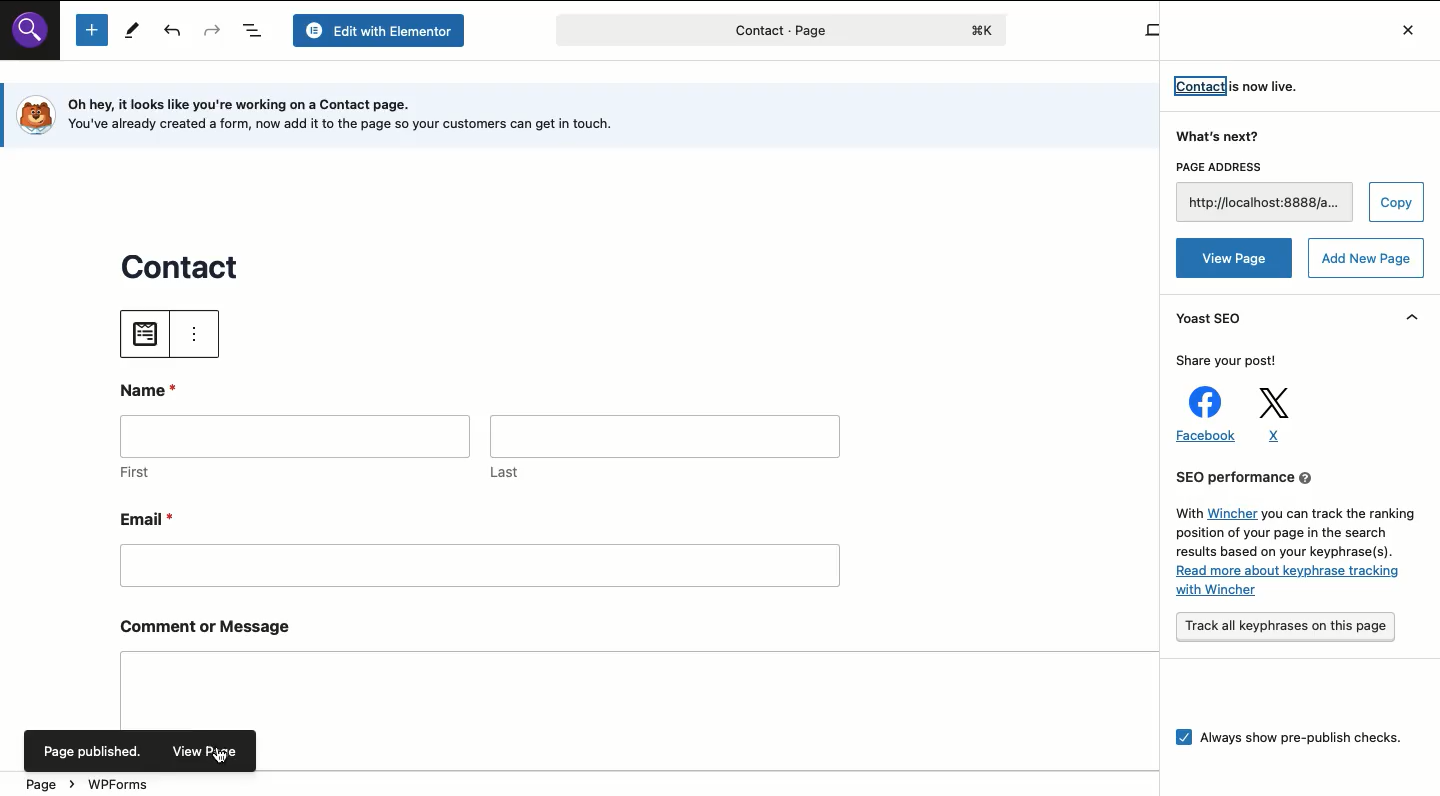 This screenshot has width=1440, height=796. Describe the element at coordinates (607, 662) in the screenshot. I see `Comment or message` at that location.